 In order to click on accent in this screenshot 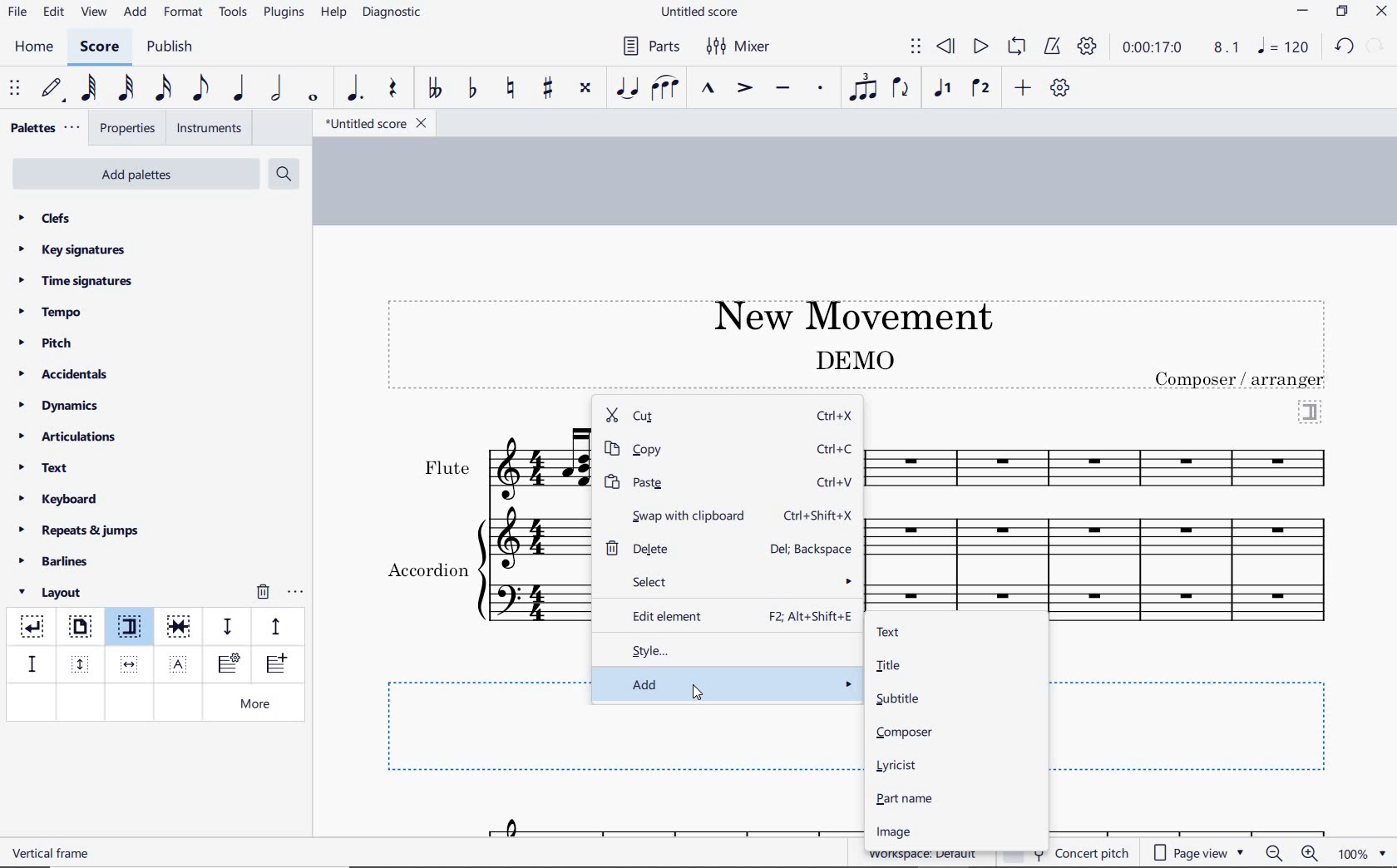, I will do `click(744, 88)`.